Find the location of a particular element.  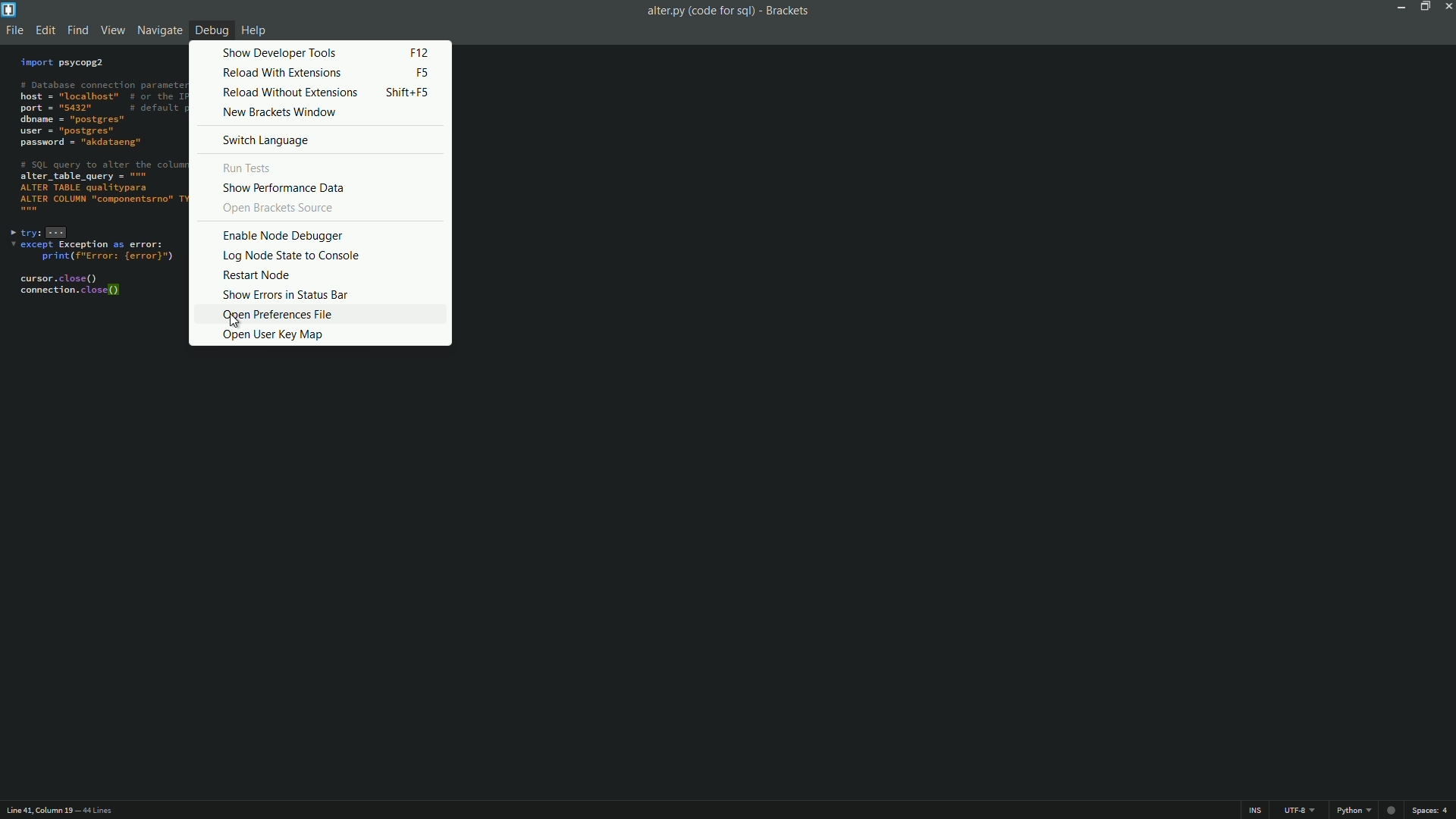

Find menu is located at coordinates (77, 31).